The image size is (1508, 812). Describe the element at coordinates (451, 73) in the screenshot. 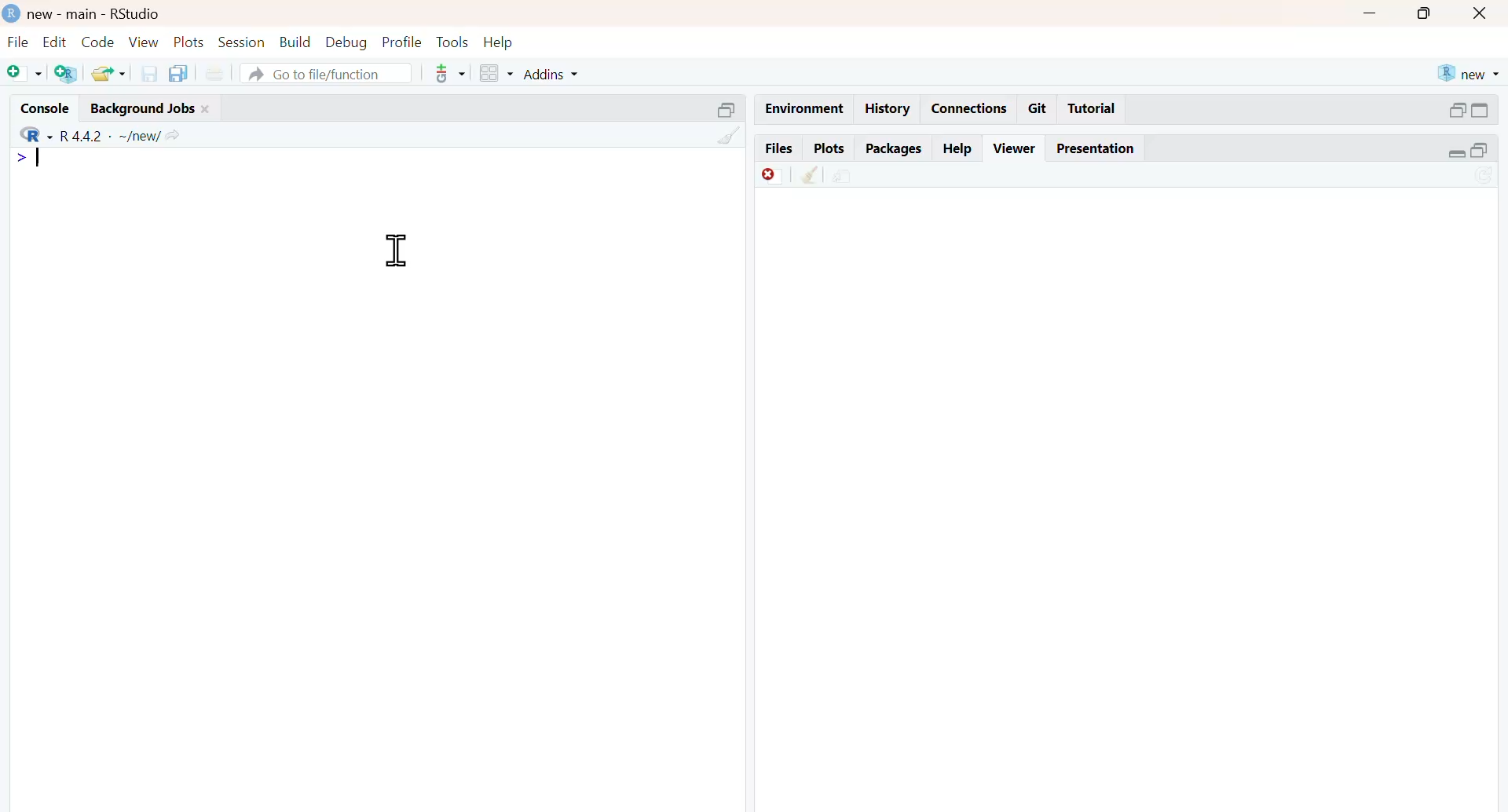

I see `tools` at that location.